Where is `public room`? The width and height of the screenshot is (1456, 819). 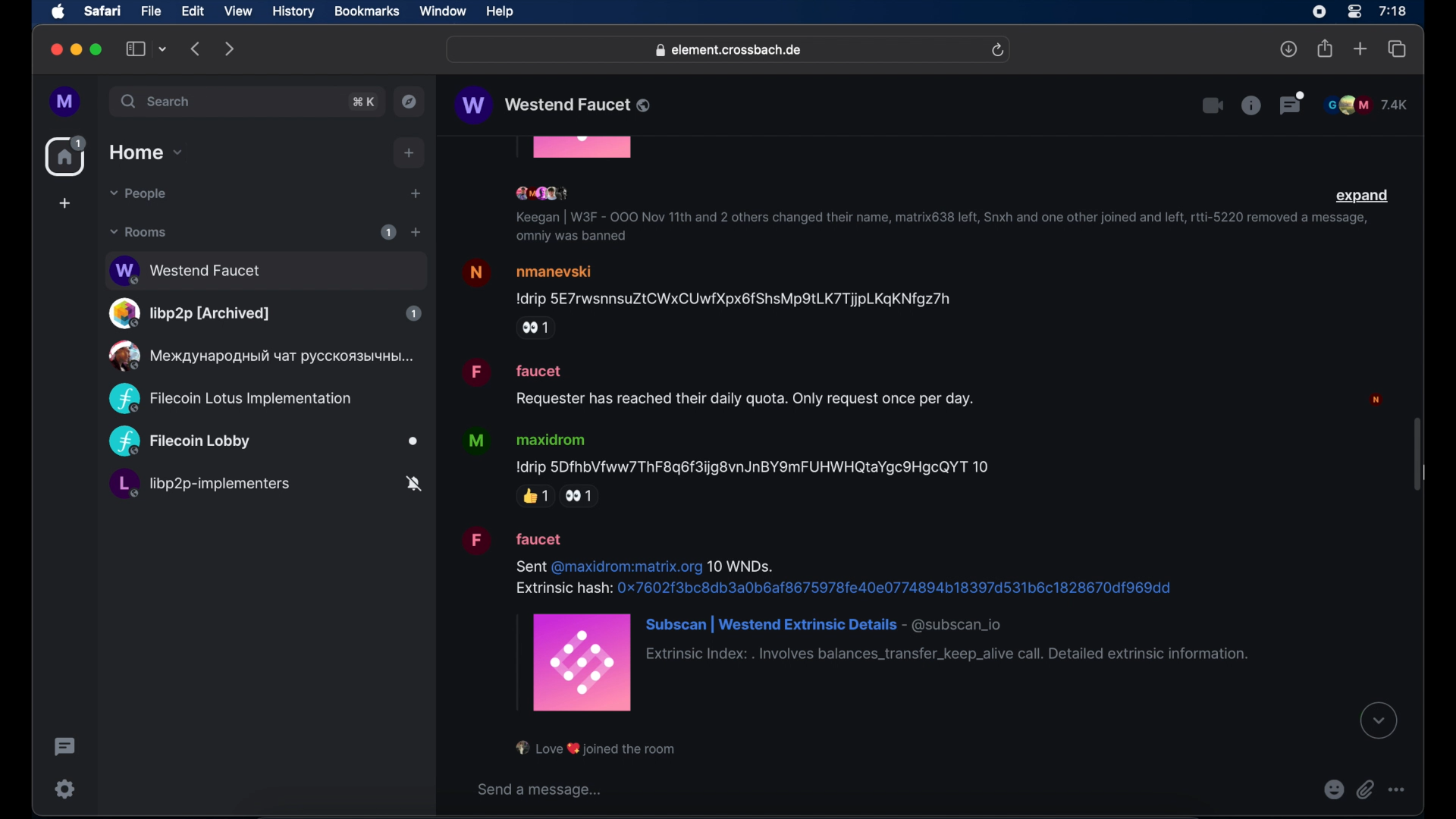 public room is located at coordinates (265, 268).